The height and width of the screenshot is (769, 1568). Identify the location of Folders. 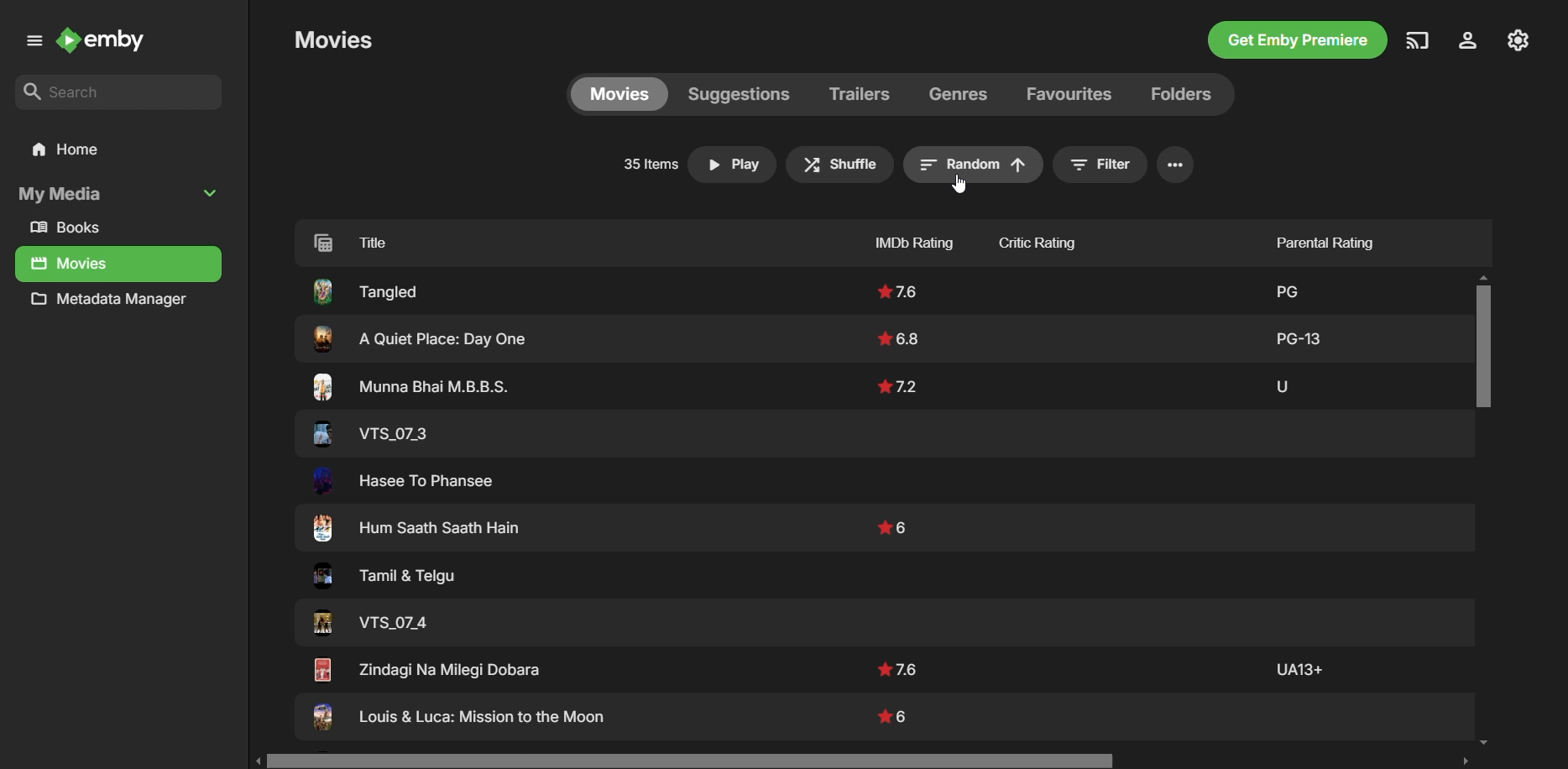
(1177, 94).